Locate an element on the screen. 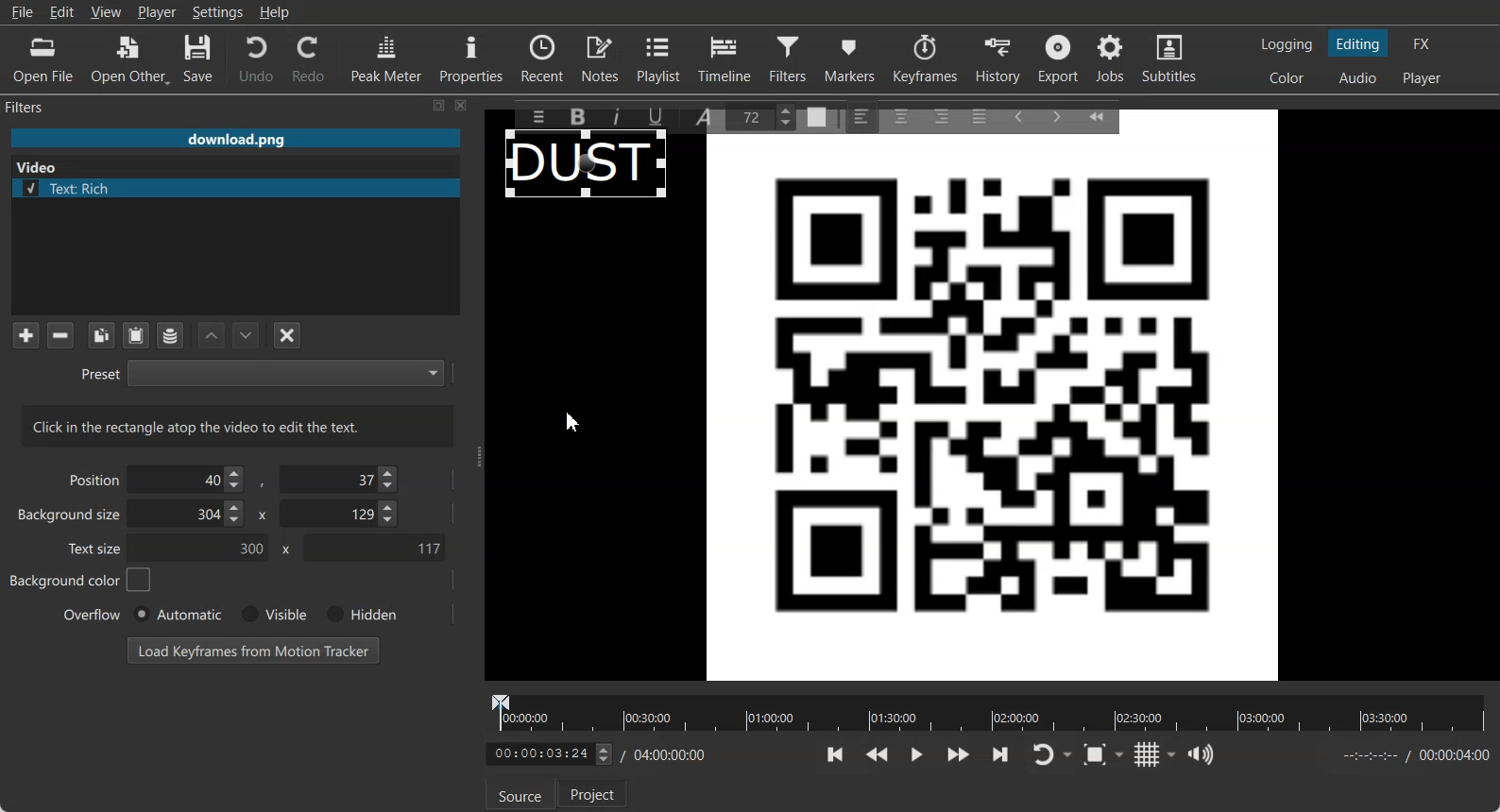 The width and height of the screenshot is (1500, 812). Export is located at coordinates (1061, 59).